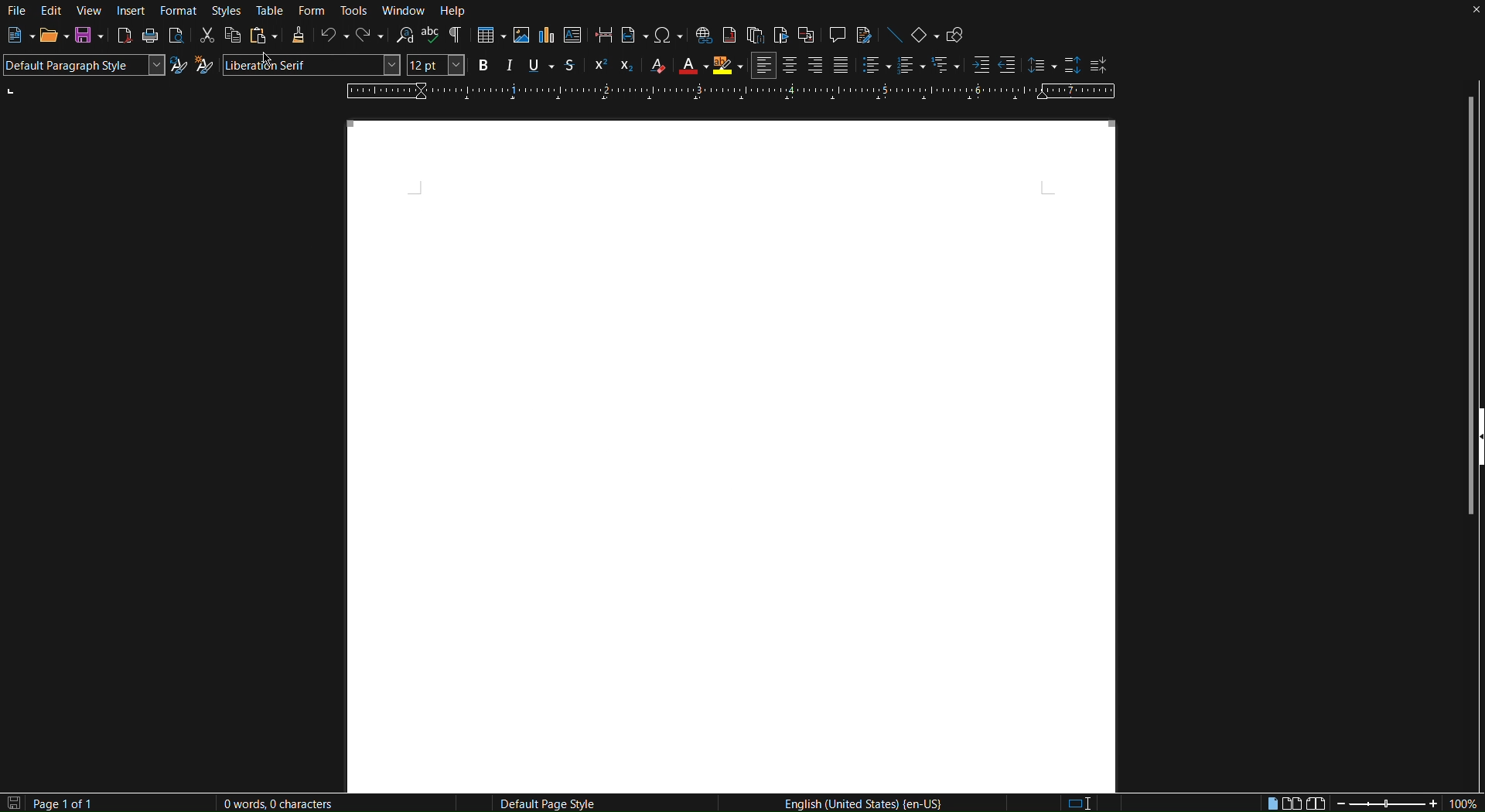  Describe the element at coordinates (89, 11) in the screenshot. I see `View` at that location.